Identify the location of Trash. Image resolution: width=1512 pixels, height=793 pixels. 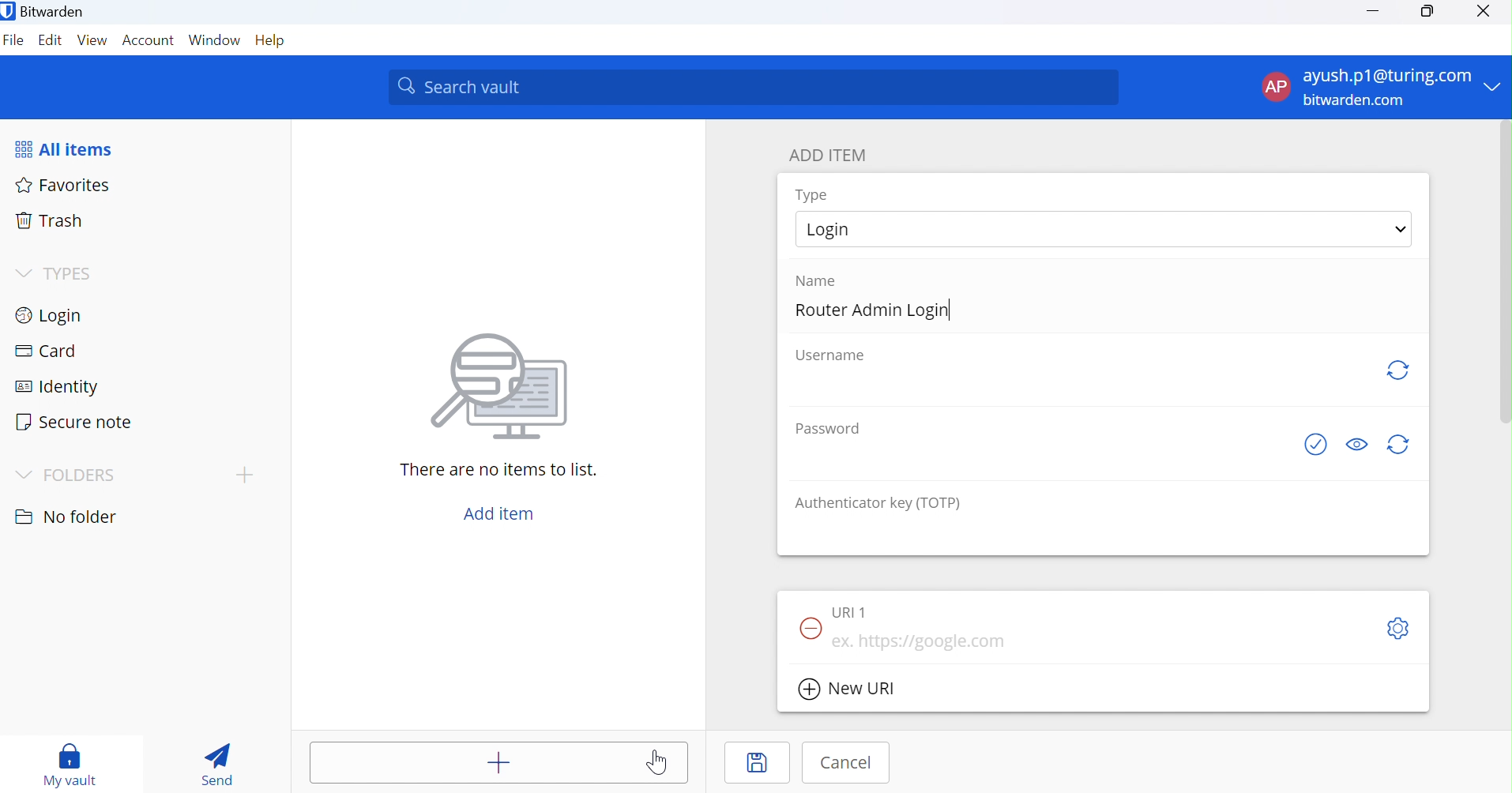
(51, 223).